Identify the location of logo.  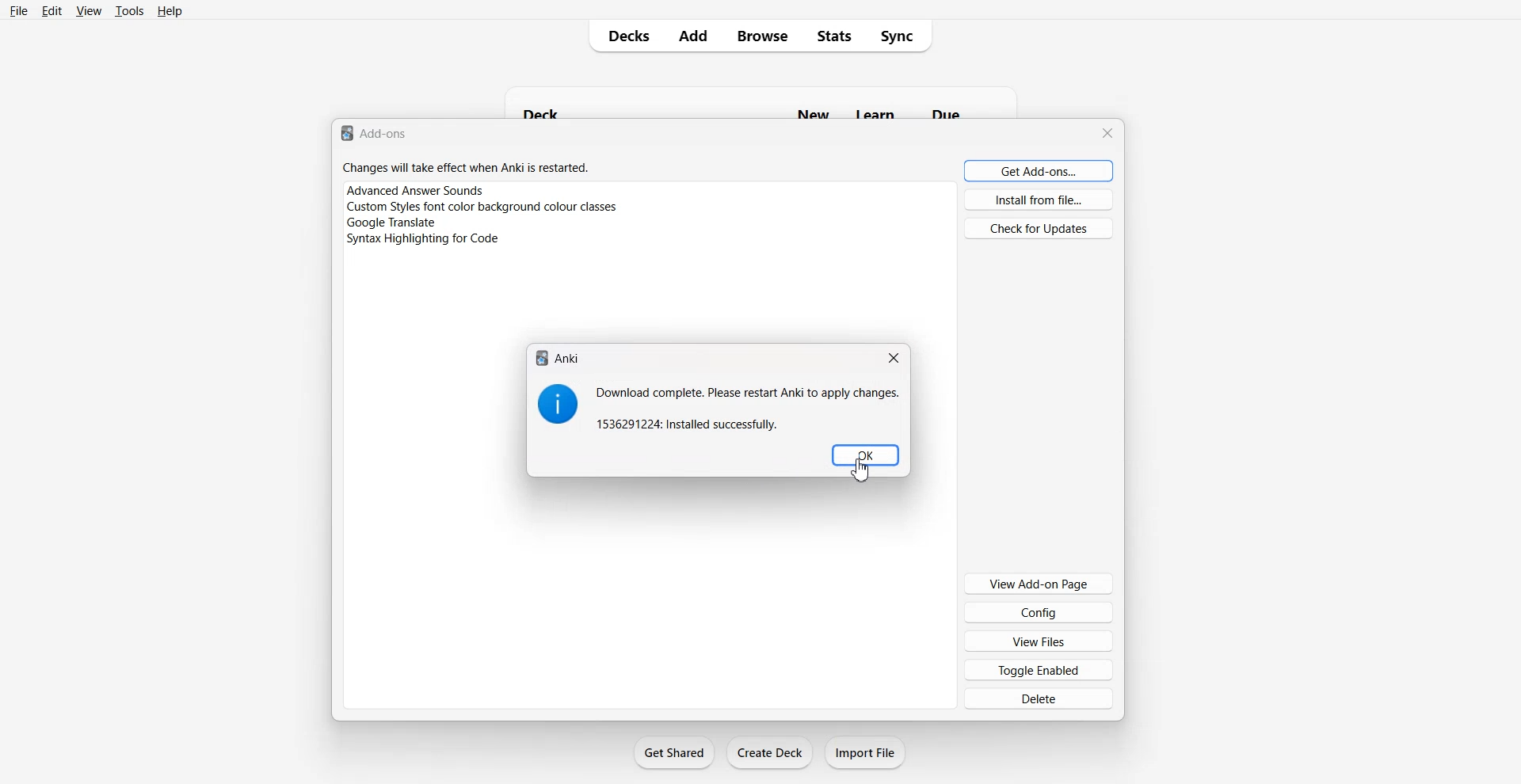
(539, 359).